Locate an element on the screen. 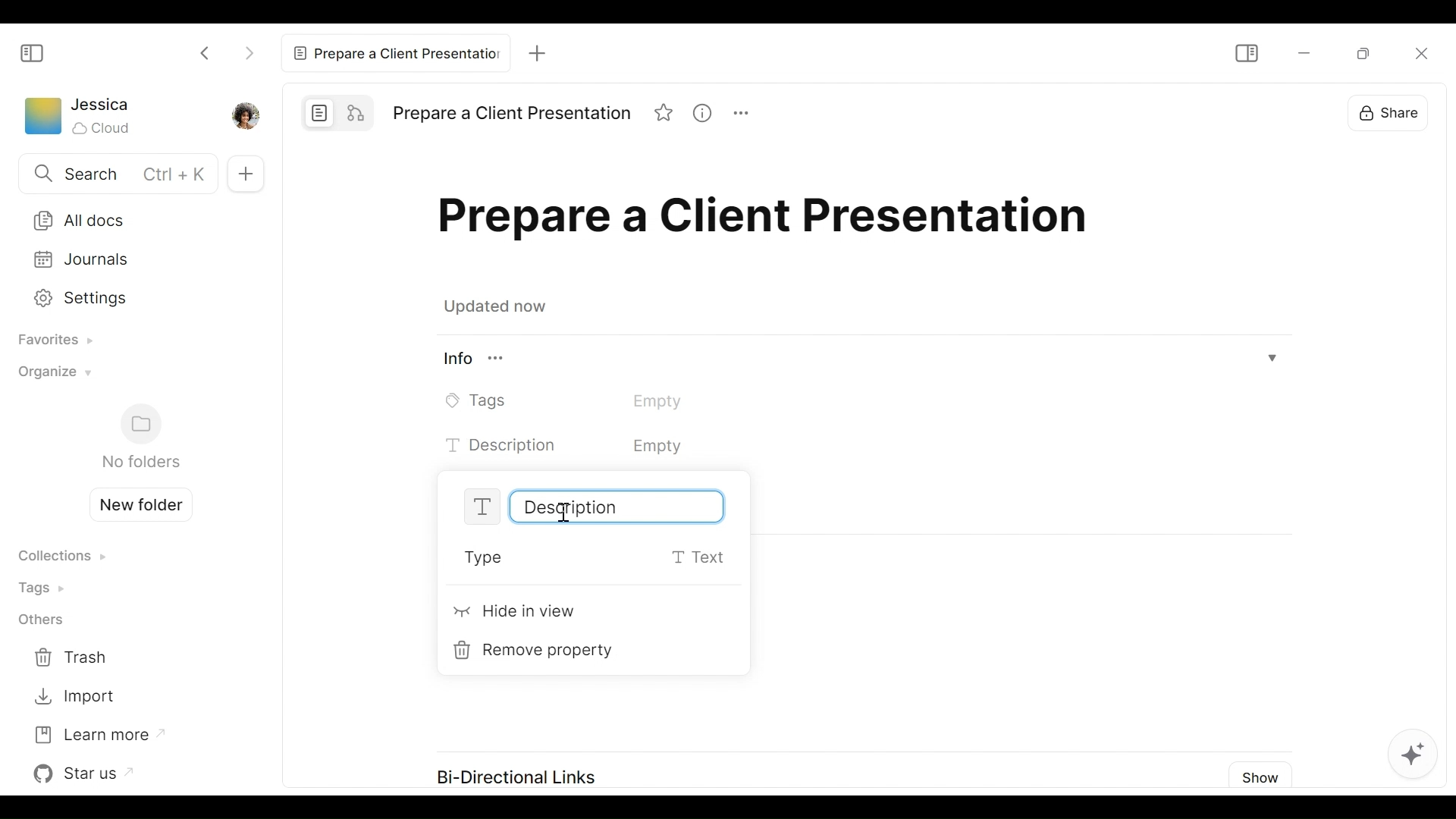 This screenshot has height=819, width=1456. Title is located at coordinates (770, 221).